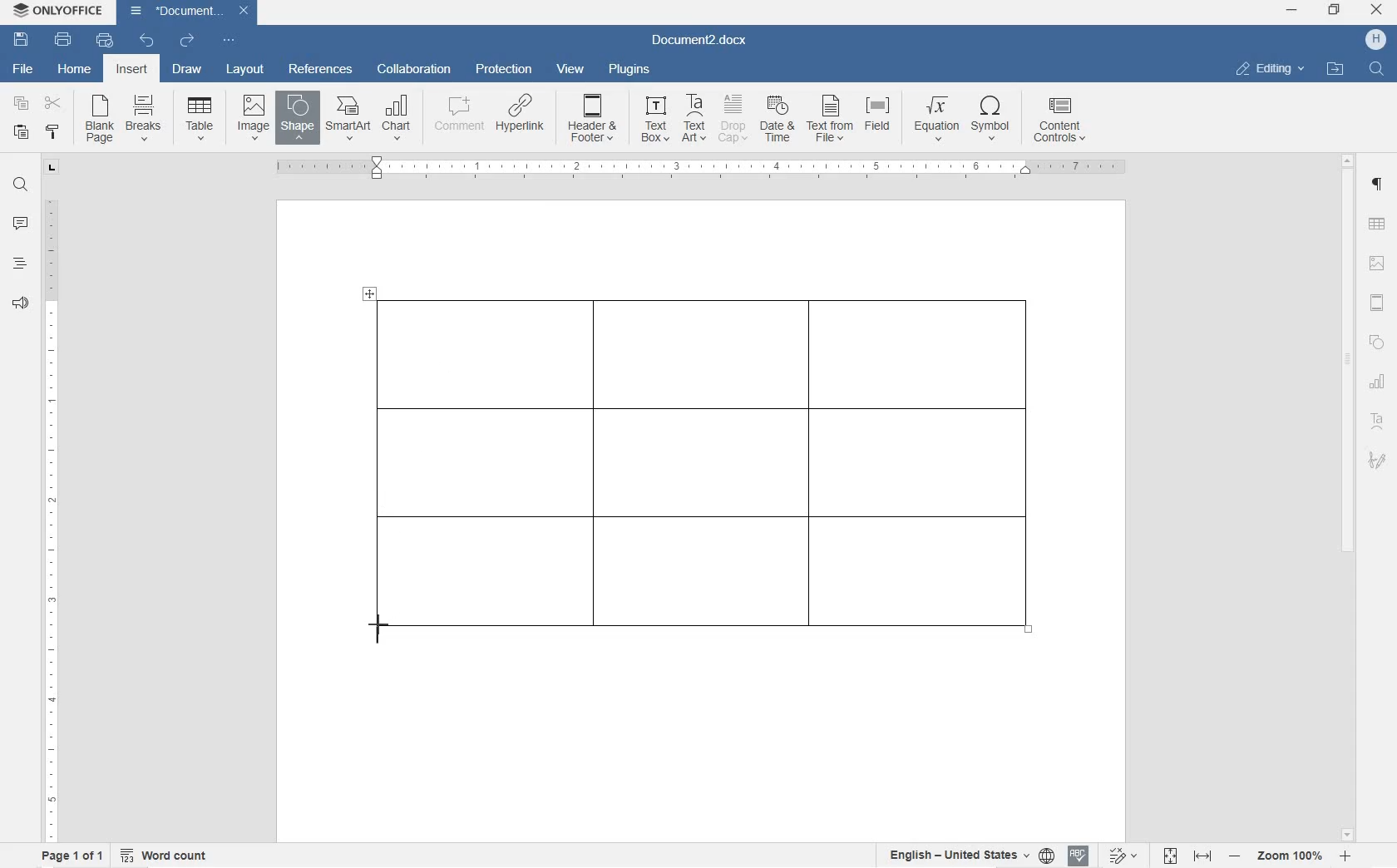  What do you see at coordinates (832, 121) in the screenshot?
I see `TEXT FROM FILE` at bounding box center [832, 121].